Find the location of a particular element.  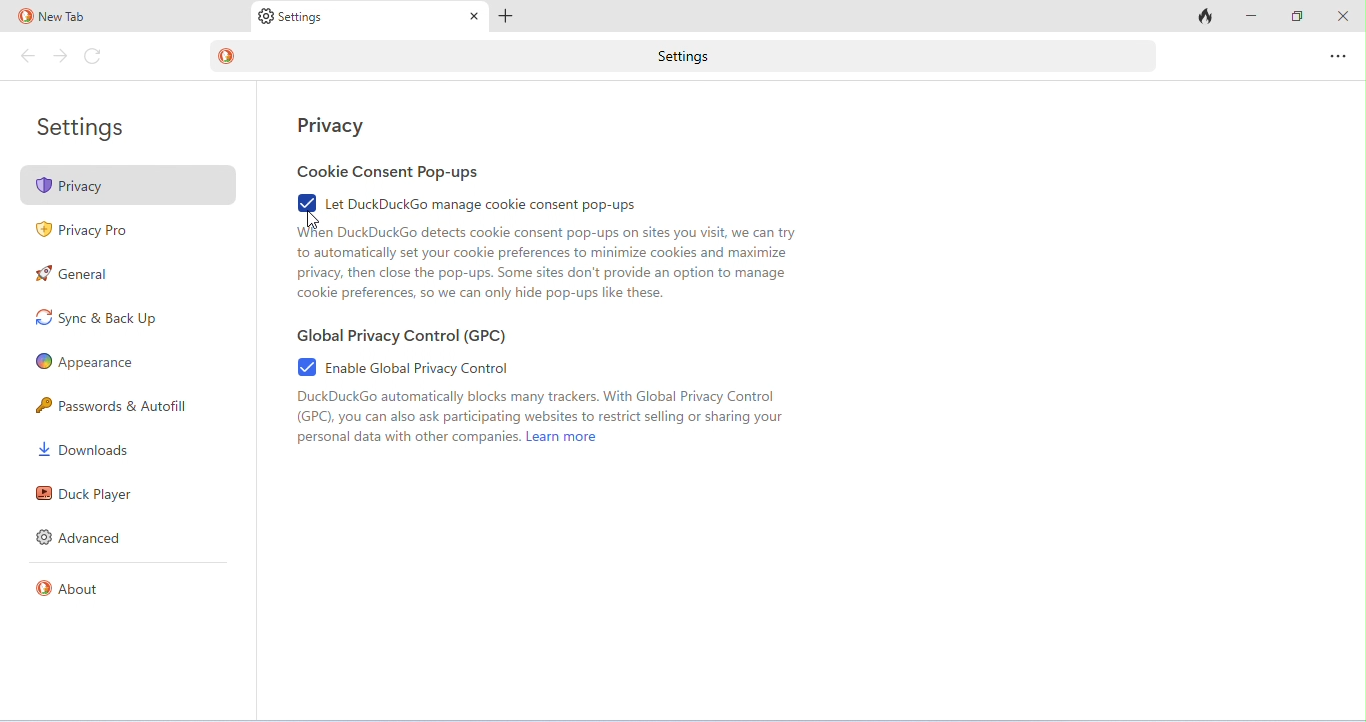

refresh is located at coordinates (94, 57).